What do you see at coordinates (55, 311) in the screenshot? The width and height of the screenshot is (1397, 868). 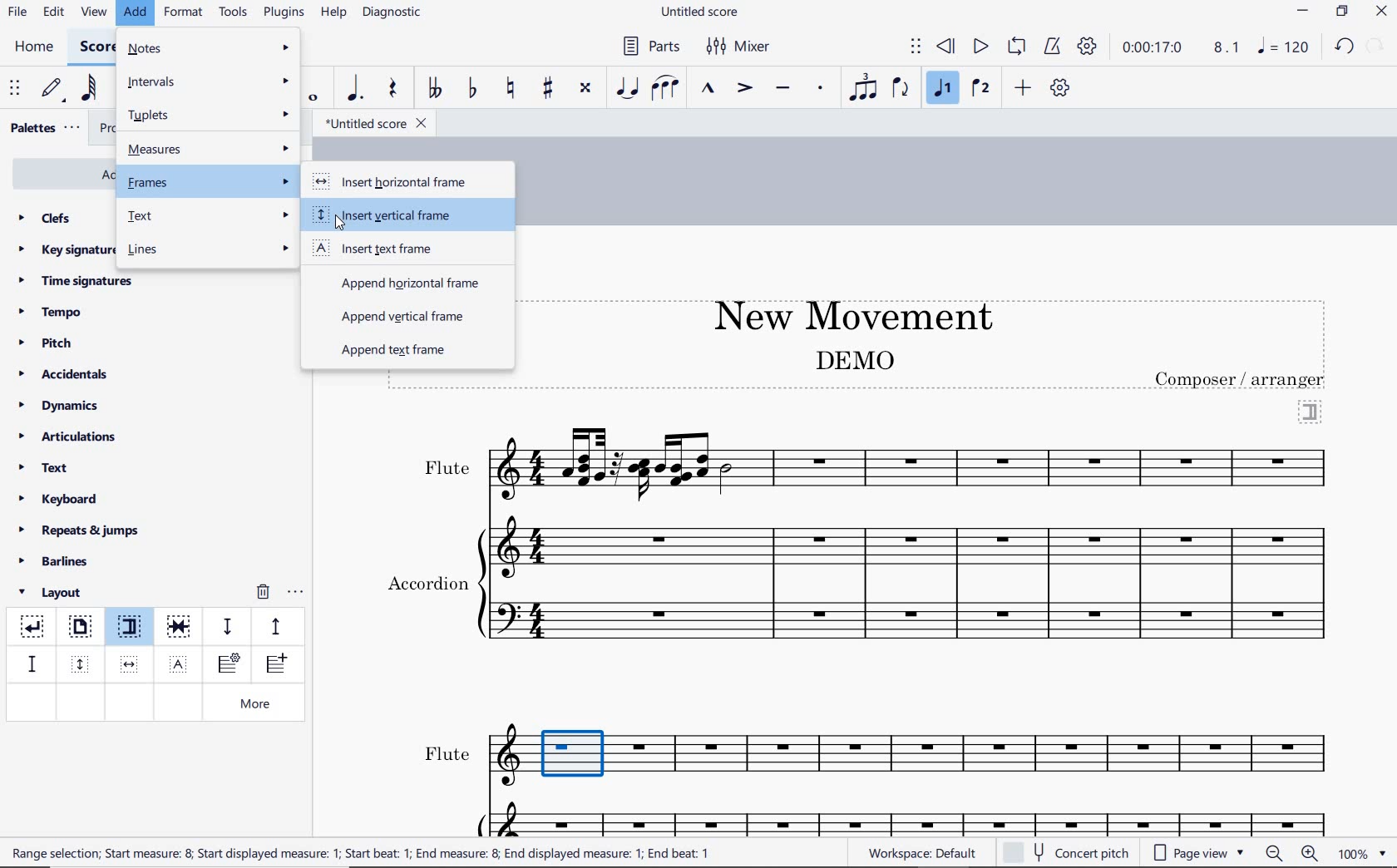 I see `tempo` at bounding box center [55, 311].